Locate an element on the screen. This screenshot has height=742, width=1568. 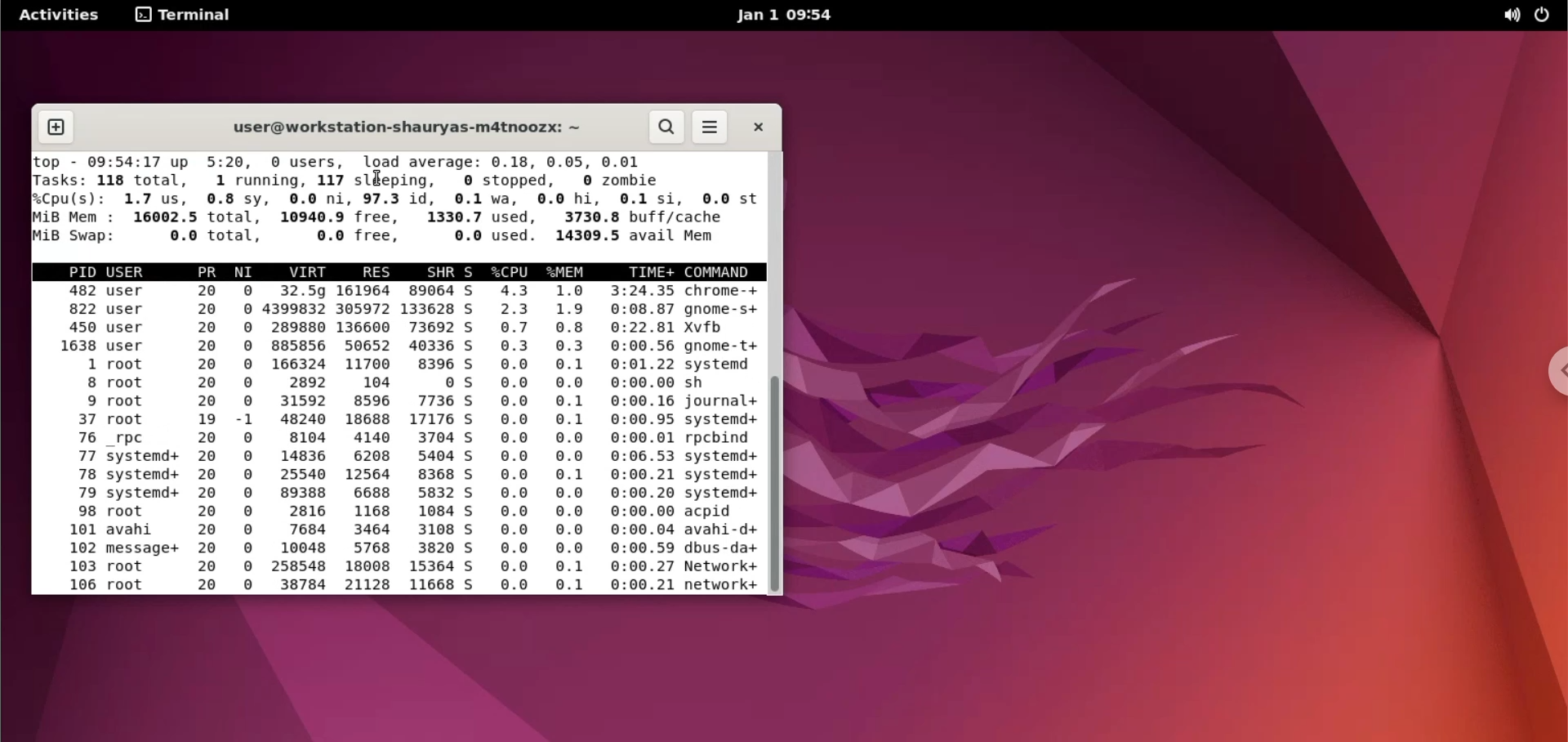
CPU usage is located at coordinates (518, 441).